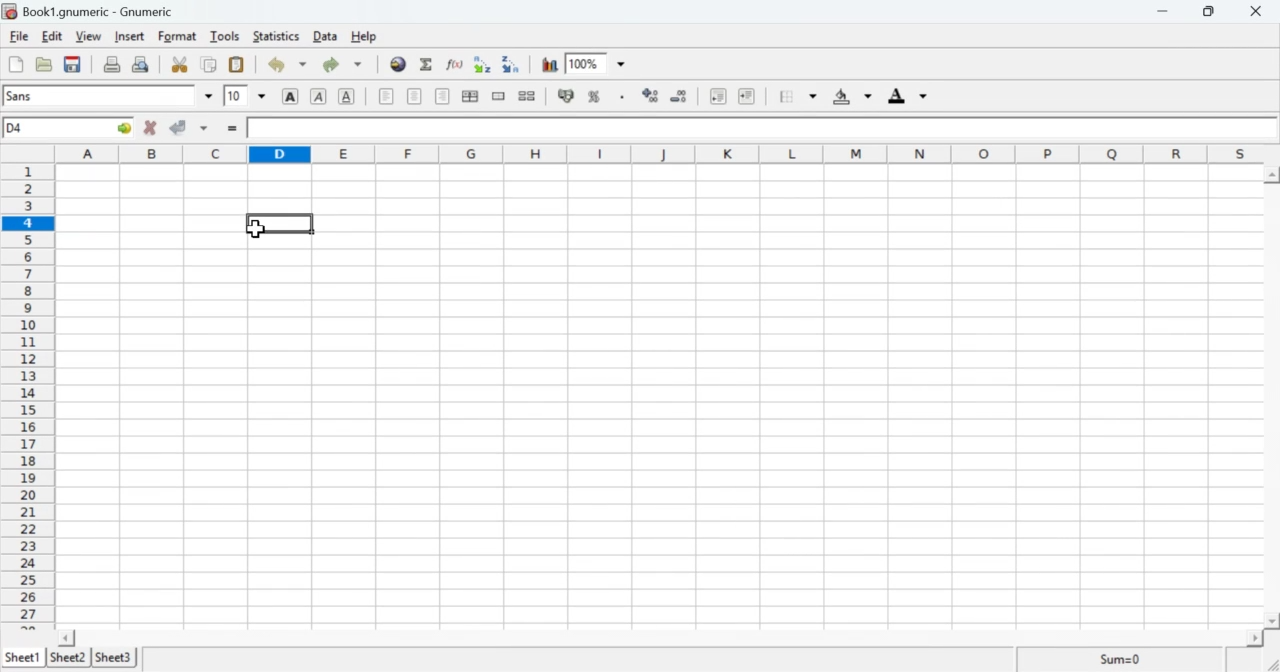 The height and width of the screenshot is (672, 1280). Describe the element at coordinates (399, 64) in the screenshot. I see `Insert hyperlink` at that location.